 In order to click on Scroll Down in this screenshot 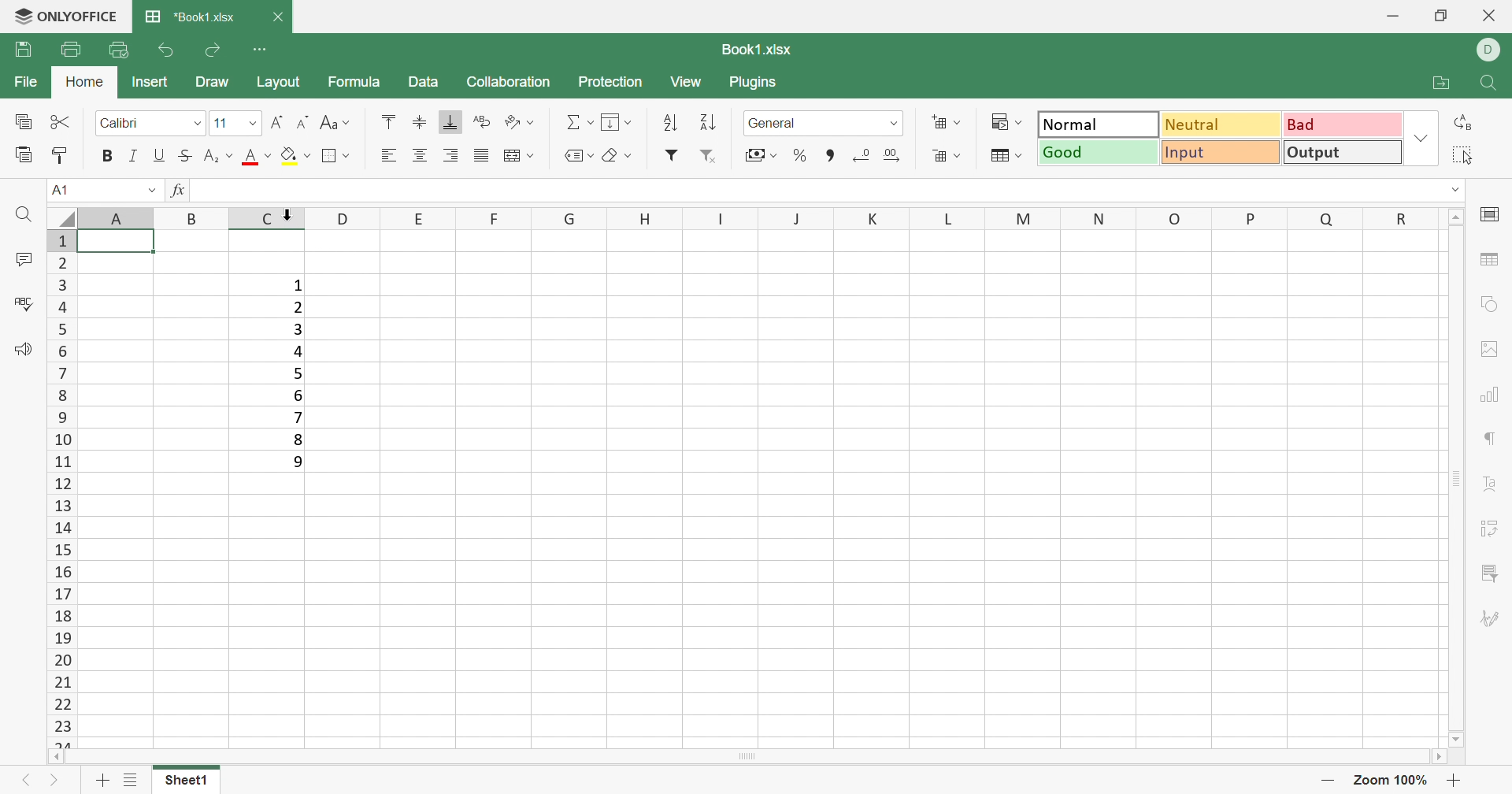, I will do `click(1455, 739)`.